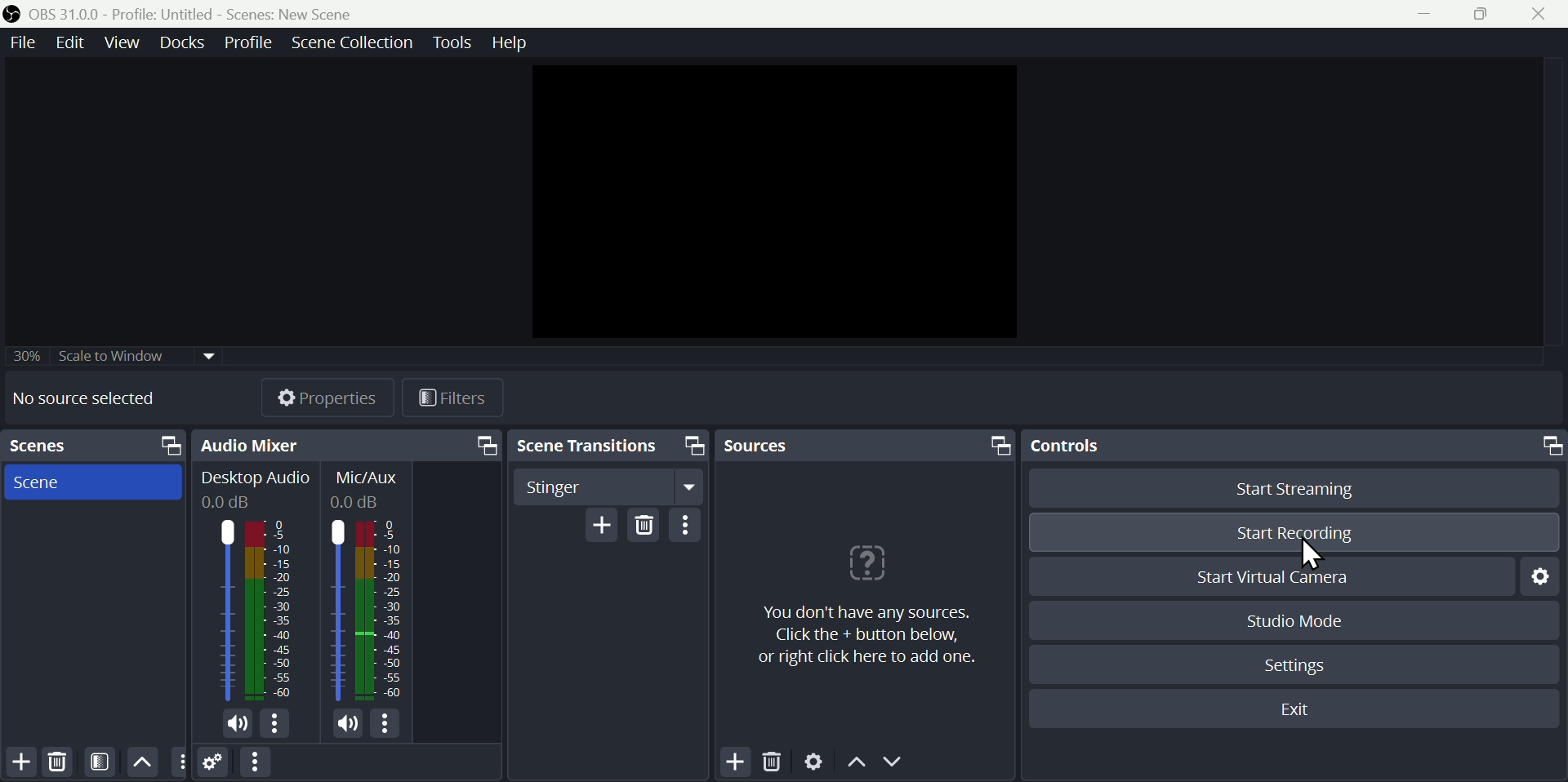 The image size is (1568, 782). I want to click on Tools, so click(452, 43).